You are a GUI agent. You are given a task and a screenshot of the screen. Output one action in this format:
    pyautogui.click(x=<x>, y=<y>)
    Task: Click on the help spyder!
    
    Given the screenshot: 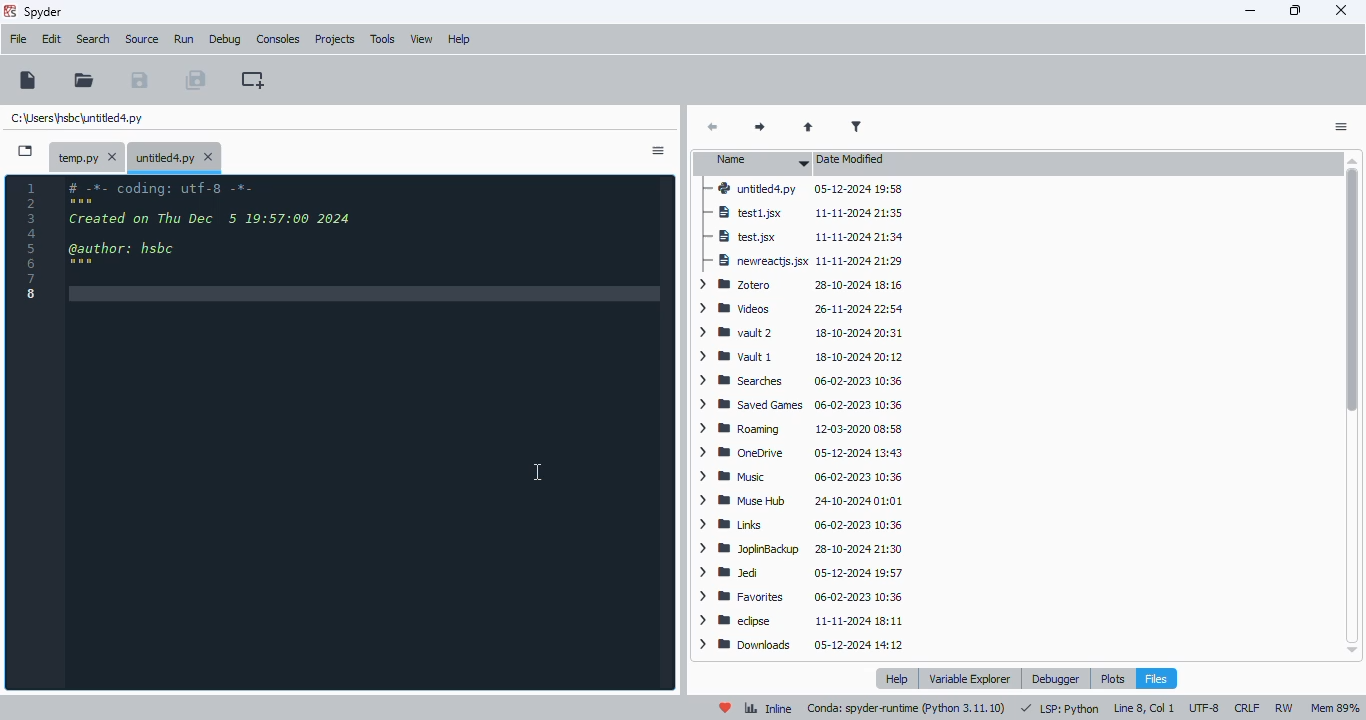 What is the action you would take?
    pyautogui.click(x=726, y=708)
    